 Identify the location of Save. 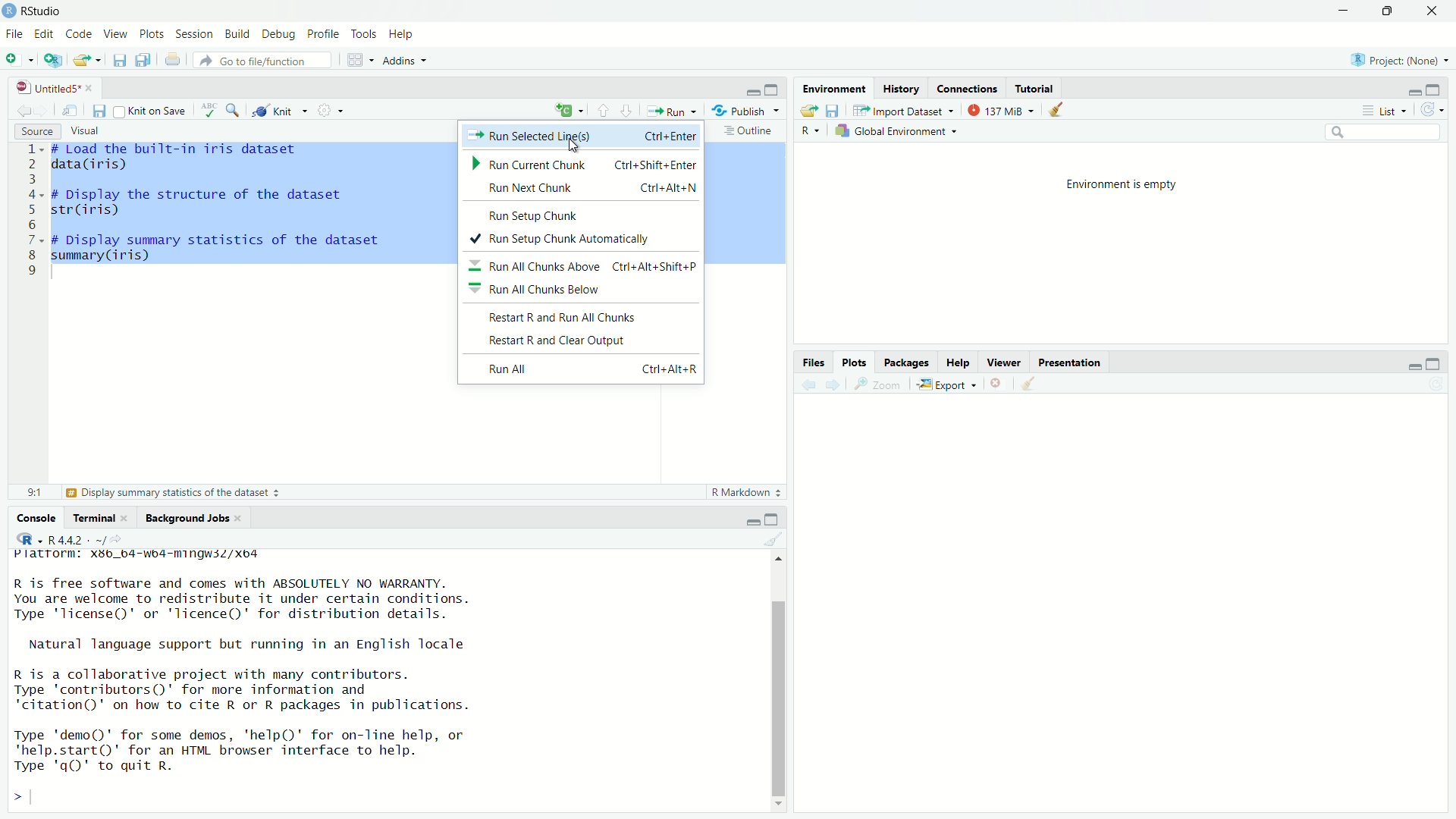
(98, 111).